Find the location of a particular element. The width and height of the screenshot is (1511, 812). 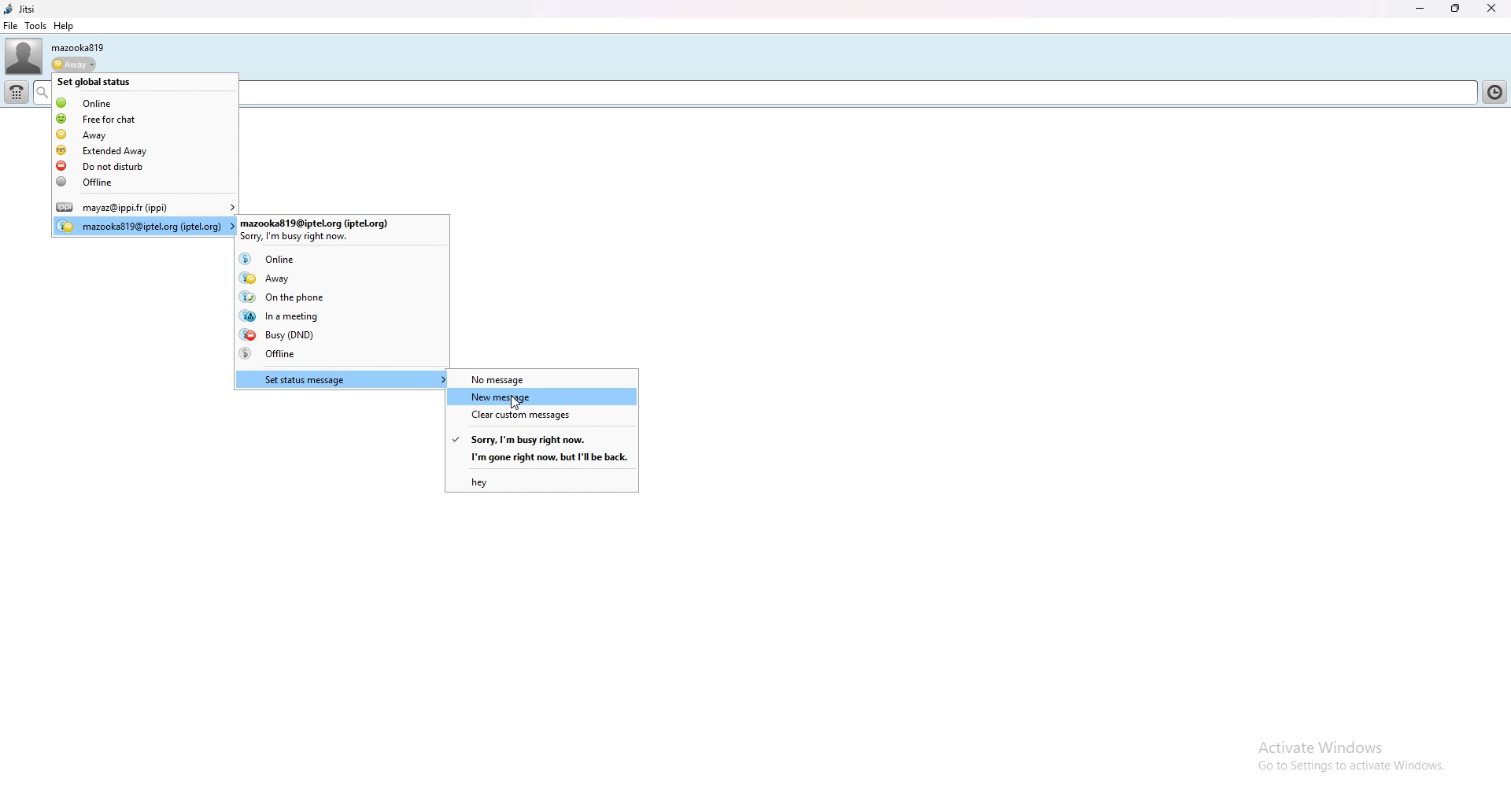

help is located at coordinates (63, 26).